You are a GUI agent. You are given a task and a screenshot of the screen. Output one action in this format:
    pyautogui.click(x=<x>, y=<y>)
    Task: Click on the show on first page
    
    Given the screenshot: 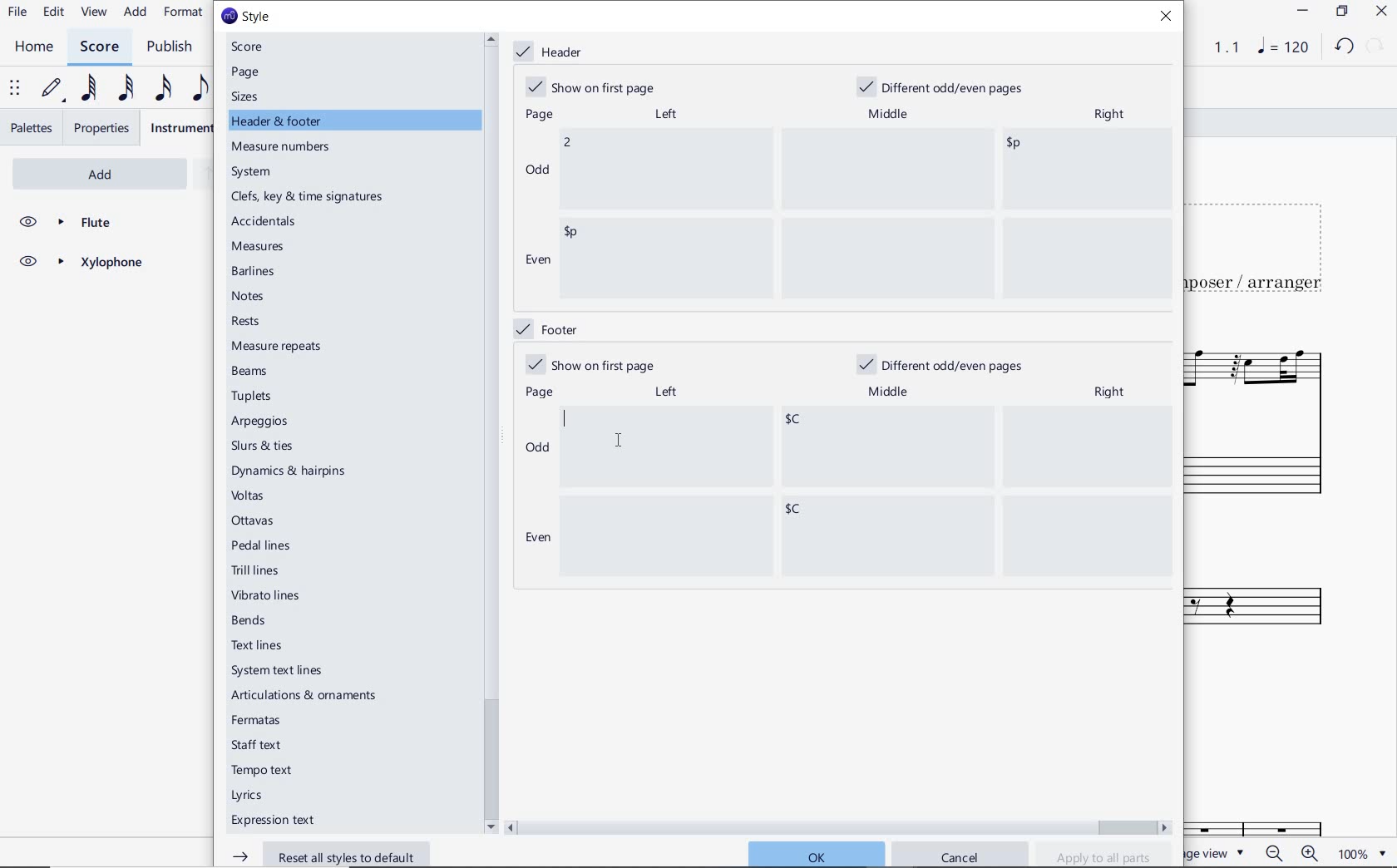 What is the action you would take?
    pyautogui.click(x=595, y=86)
    